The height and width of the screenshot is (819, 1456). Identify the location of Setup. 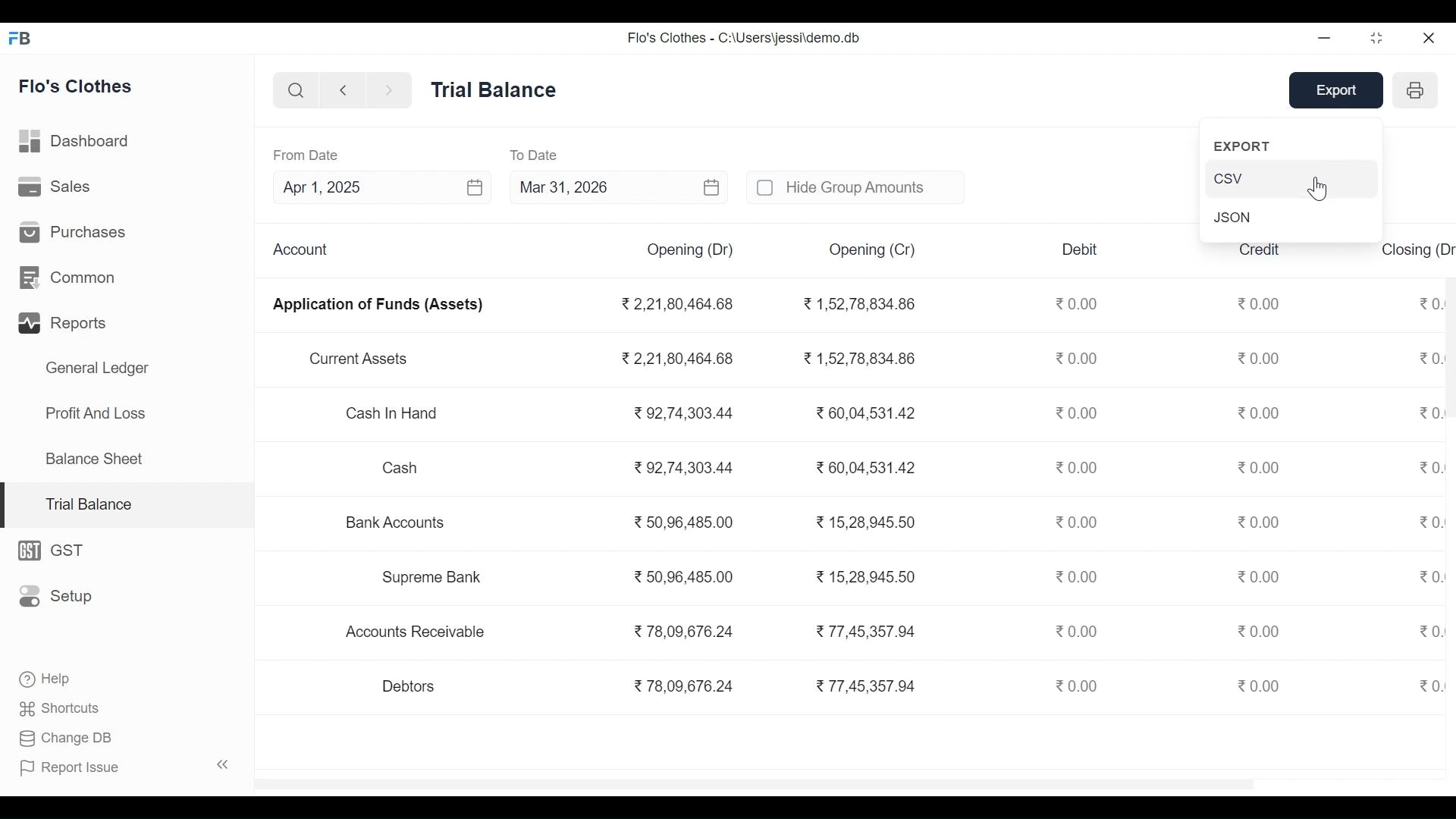
(56, 597).